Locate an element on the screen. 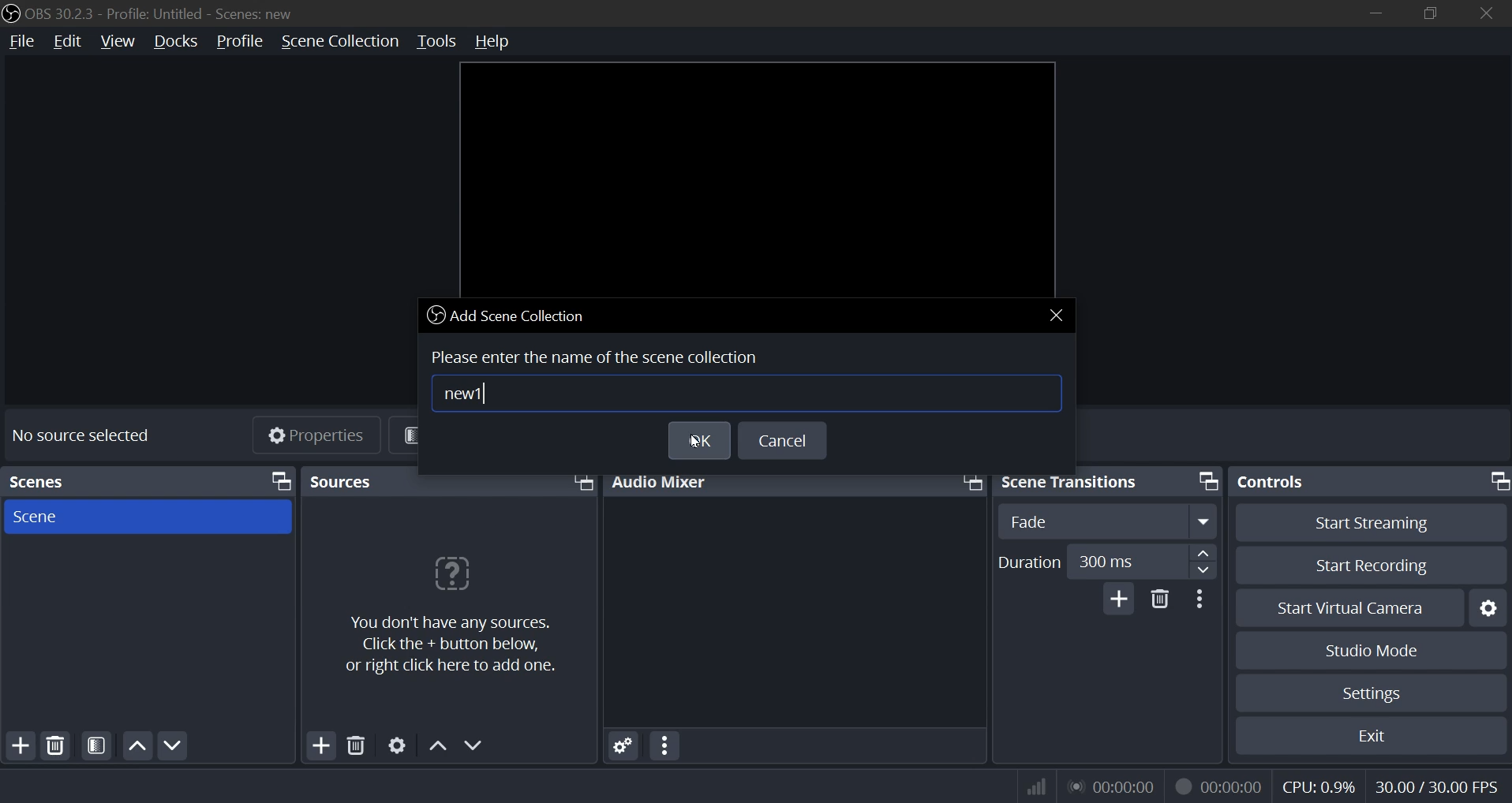  duration number is located at coordinates (1107, 560).